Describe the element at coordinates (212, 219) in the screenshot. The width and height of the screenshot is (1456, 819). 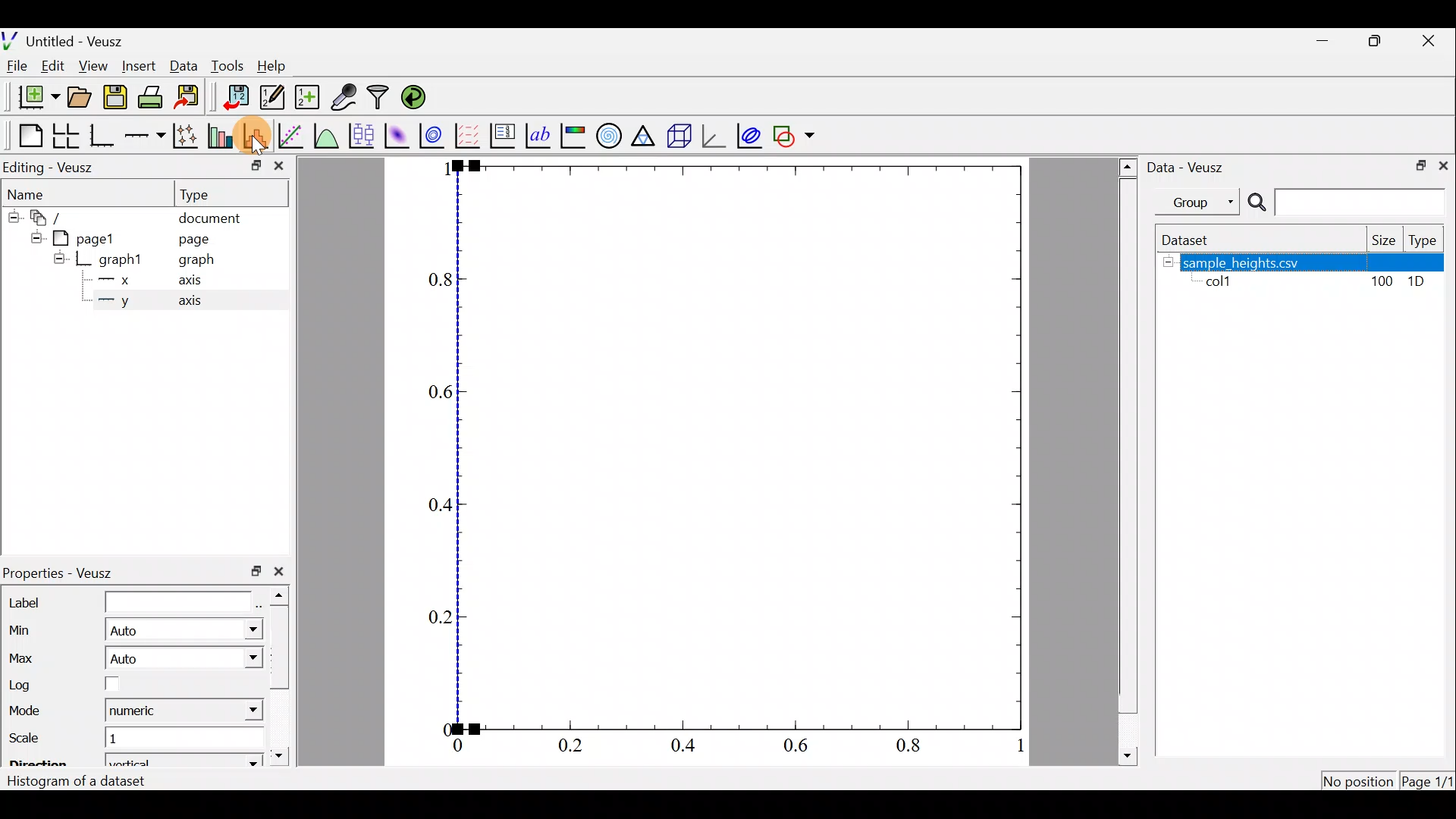
I see `document` at that location.